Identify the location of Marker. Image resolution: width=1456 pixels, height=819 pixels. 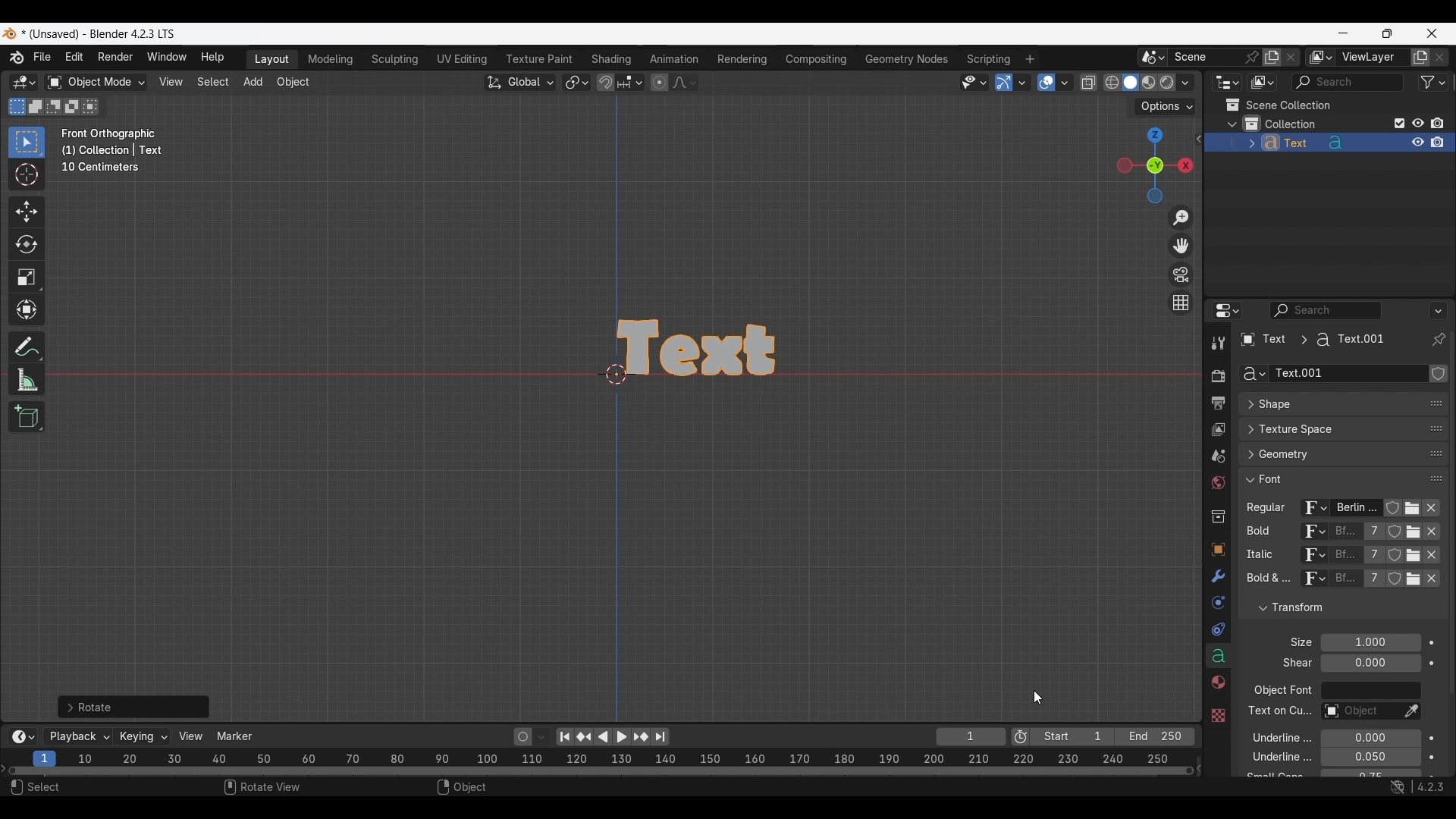
(235, 736).